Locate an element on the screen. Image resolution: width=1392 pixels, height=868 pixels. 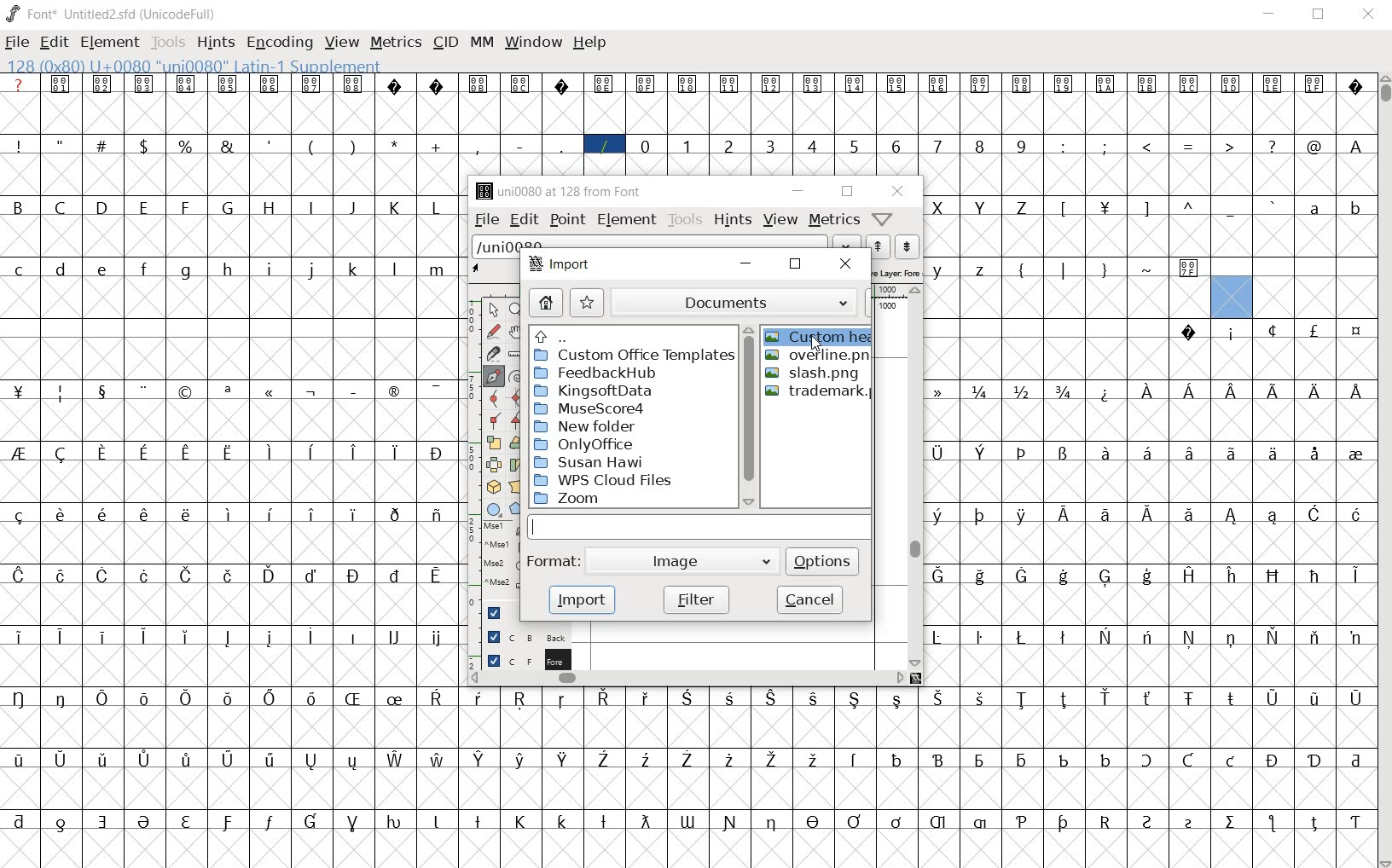
glyph is located at coordinates (438, 639).